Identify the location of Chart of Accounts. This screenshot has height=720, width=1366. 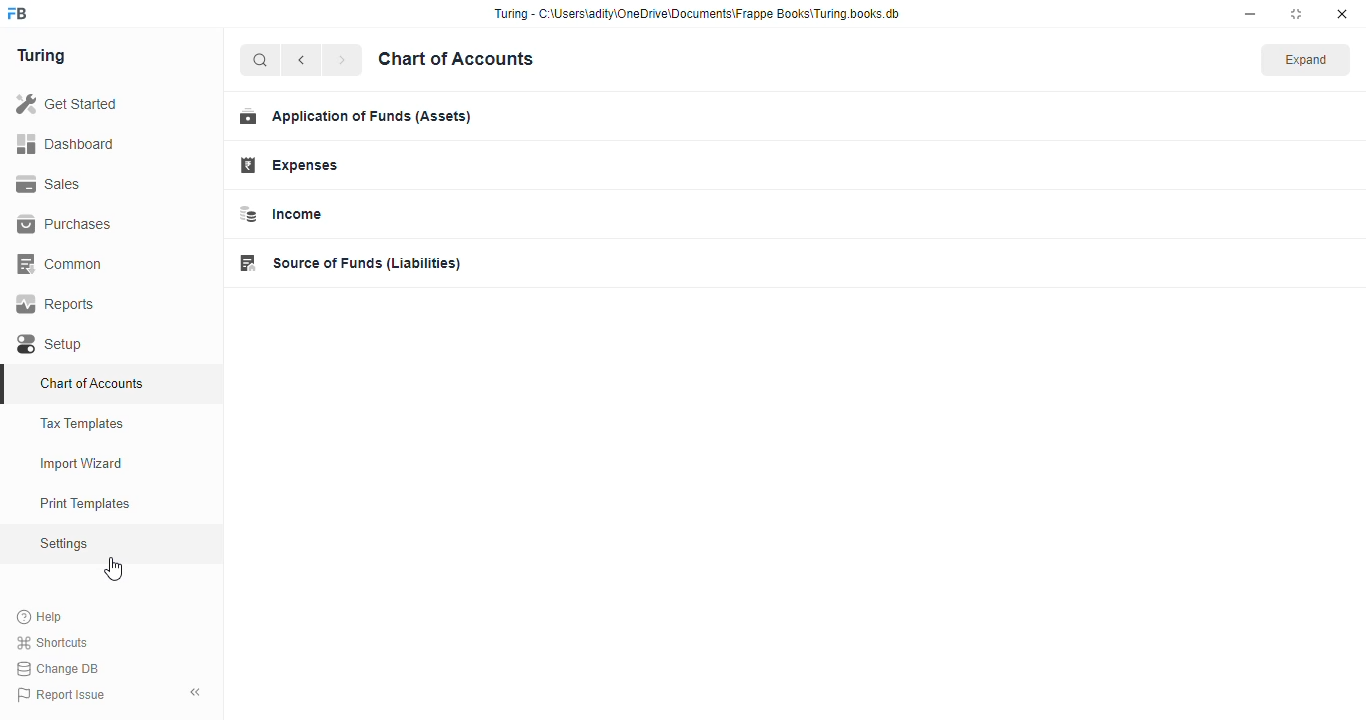
(467, 58).